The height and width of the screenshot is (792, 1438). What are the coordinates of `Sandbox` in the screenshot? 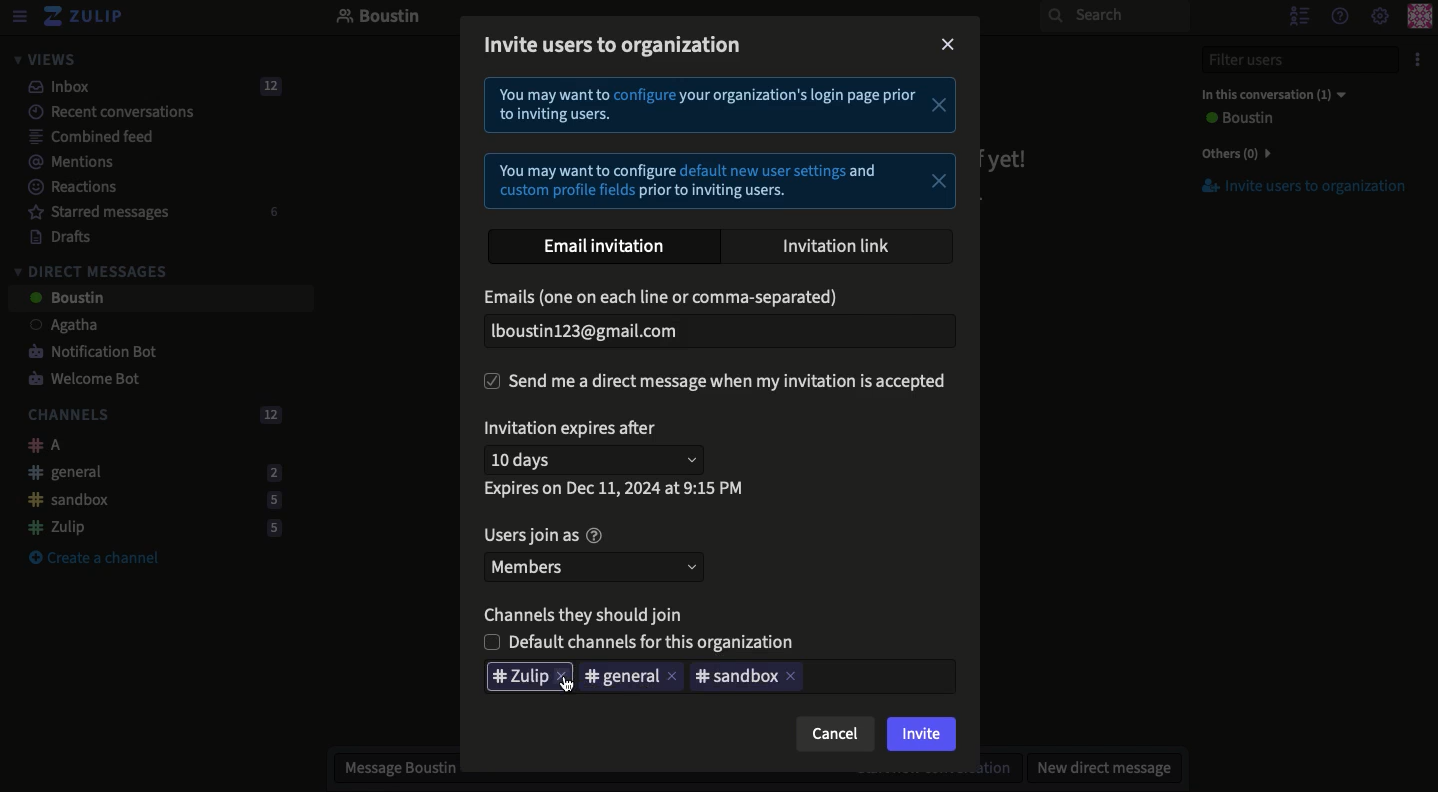 It's located at (734, 677).